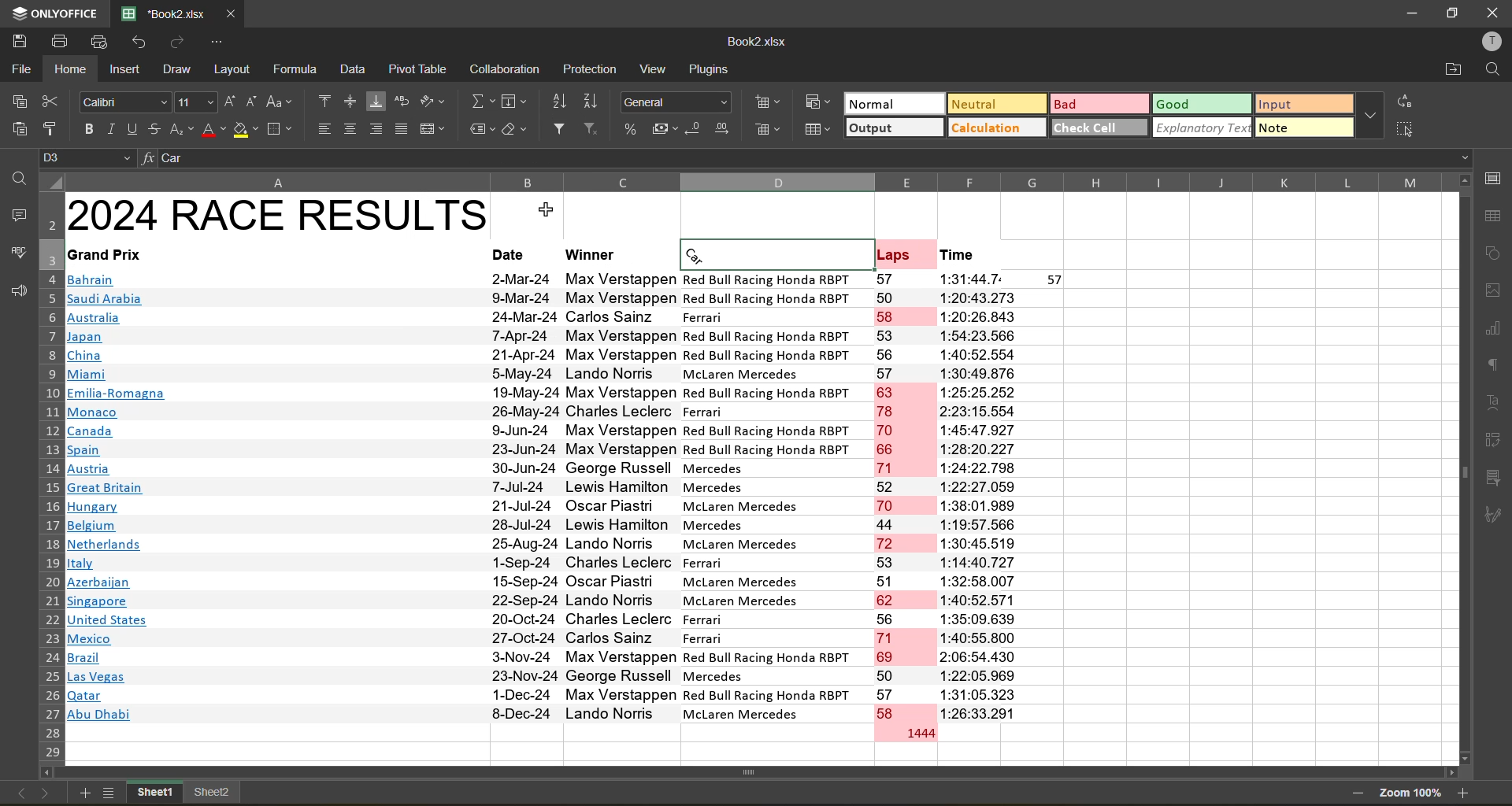 The image size is (1512, 806). I want to click on explanatory text, so click(1203, 130).